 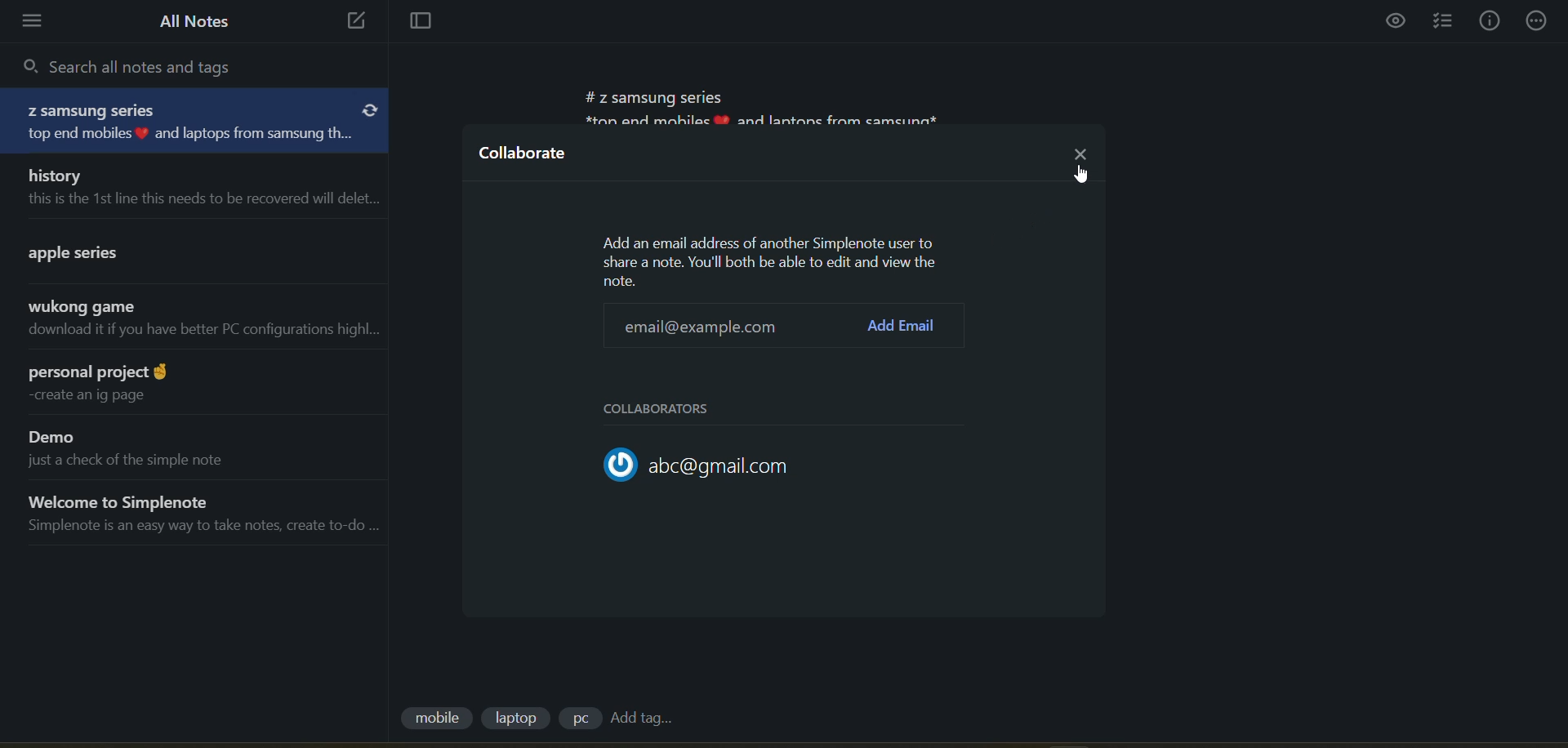 I want to click on all notes, so click(x=195, y=21).